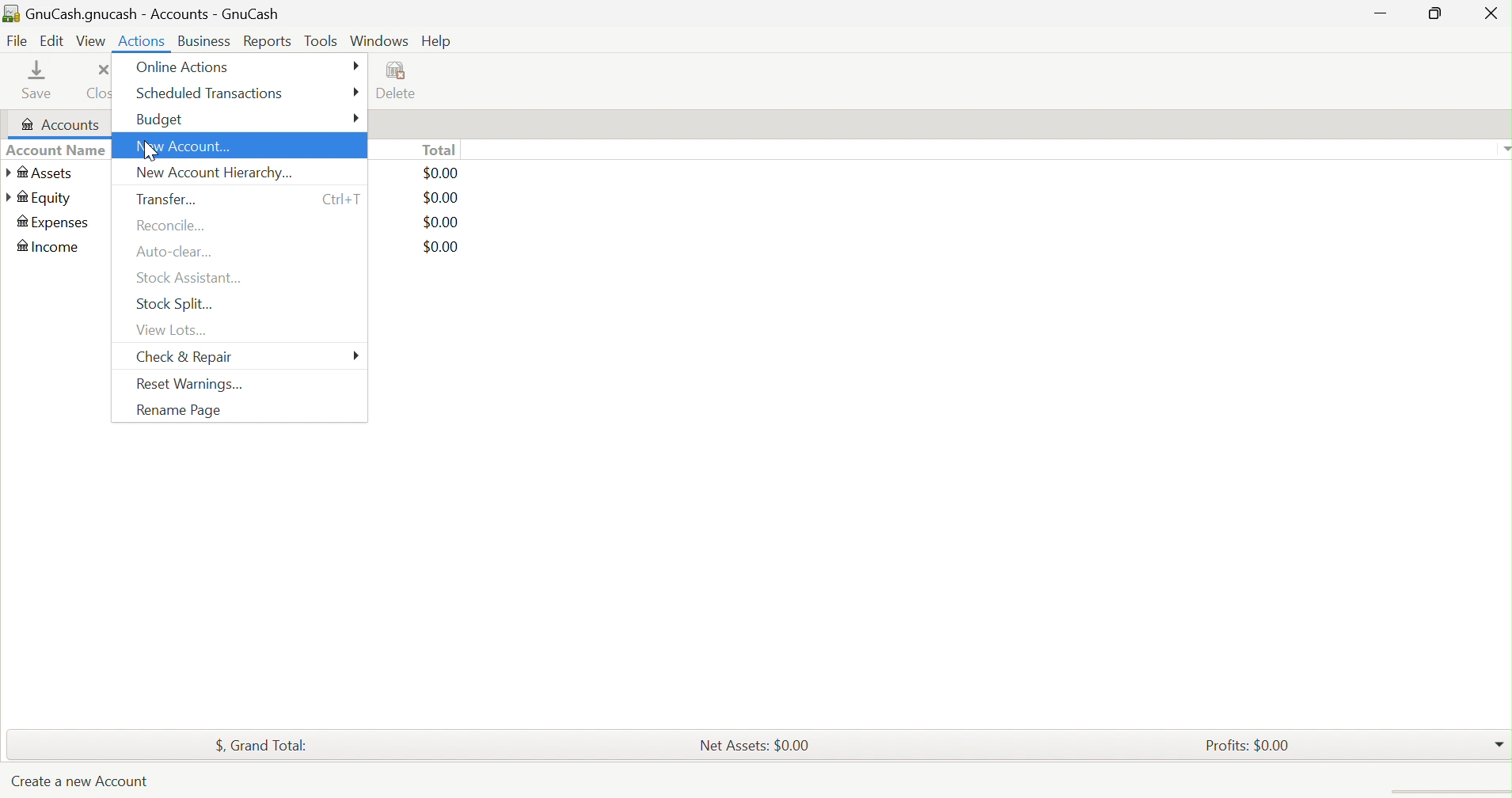 The image size is (1512, 798). Describe the element at coordinates (356, 117) in the screenshot. I see `More` at that location.